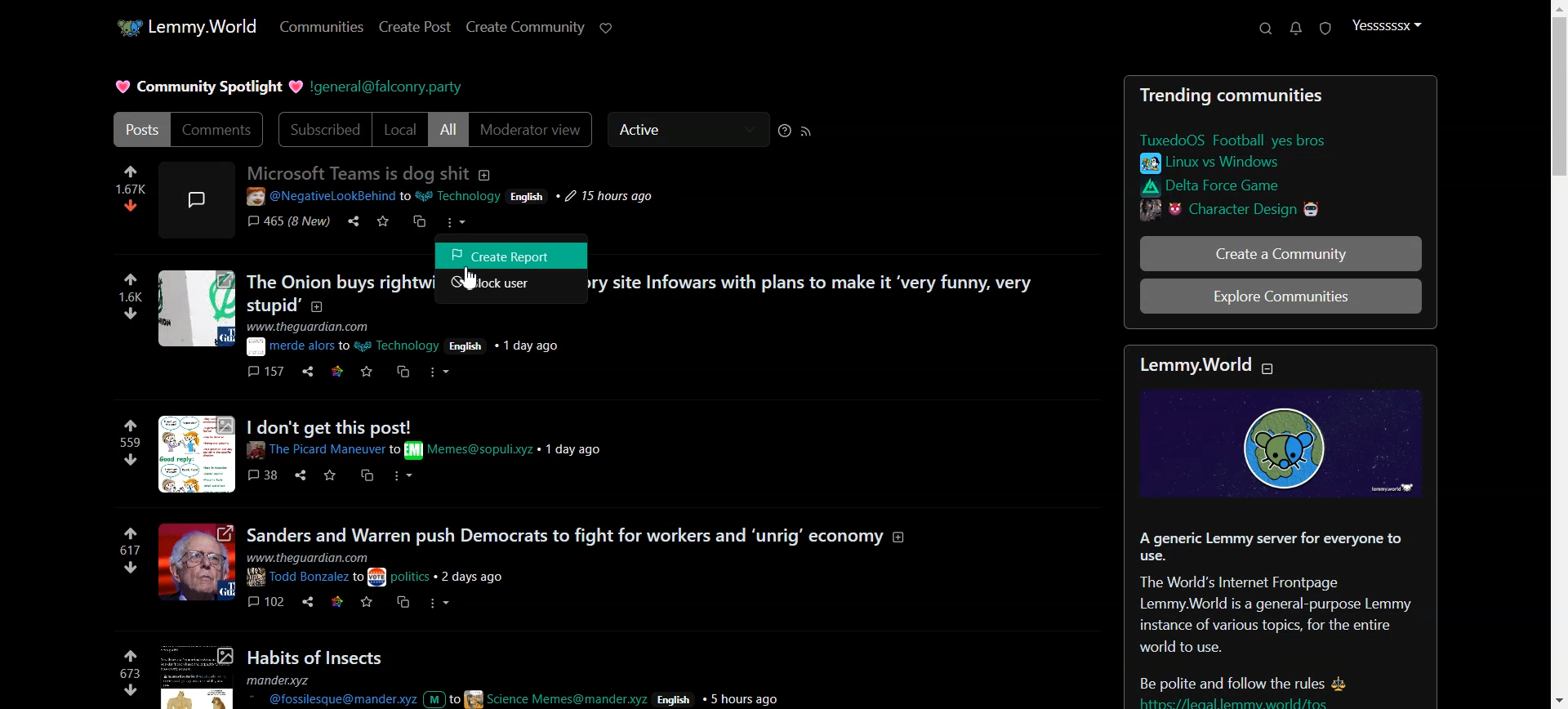  I want to click on cs, so click(402, 602).